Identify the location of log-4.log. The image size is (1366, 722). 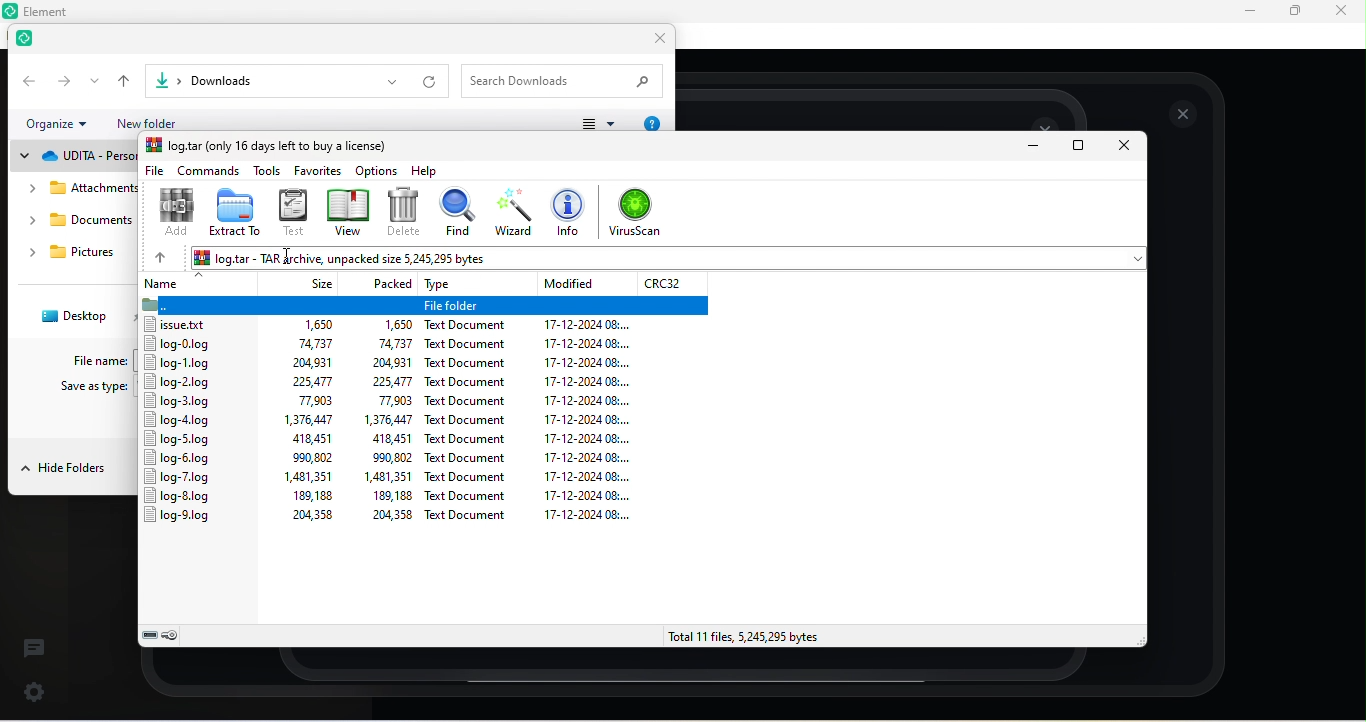
(180, 419).